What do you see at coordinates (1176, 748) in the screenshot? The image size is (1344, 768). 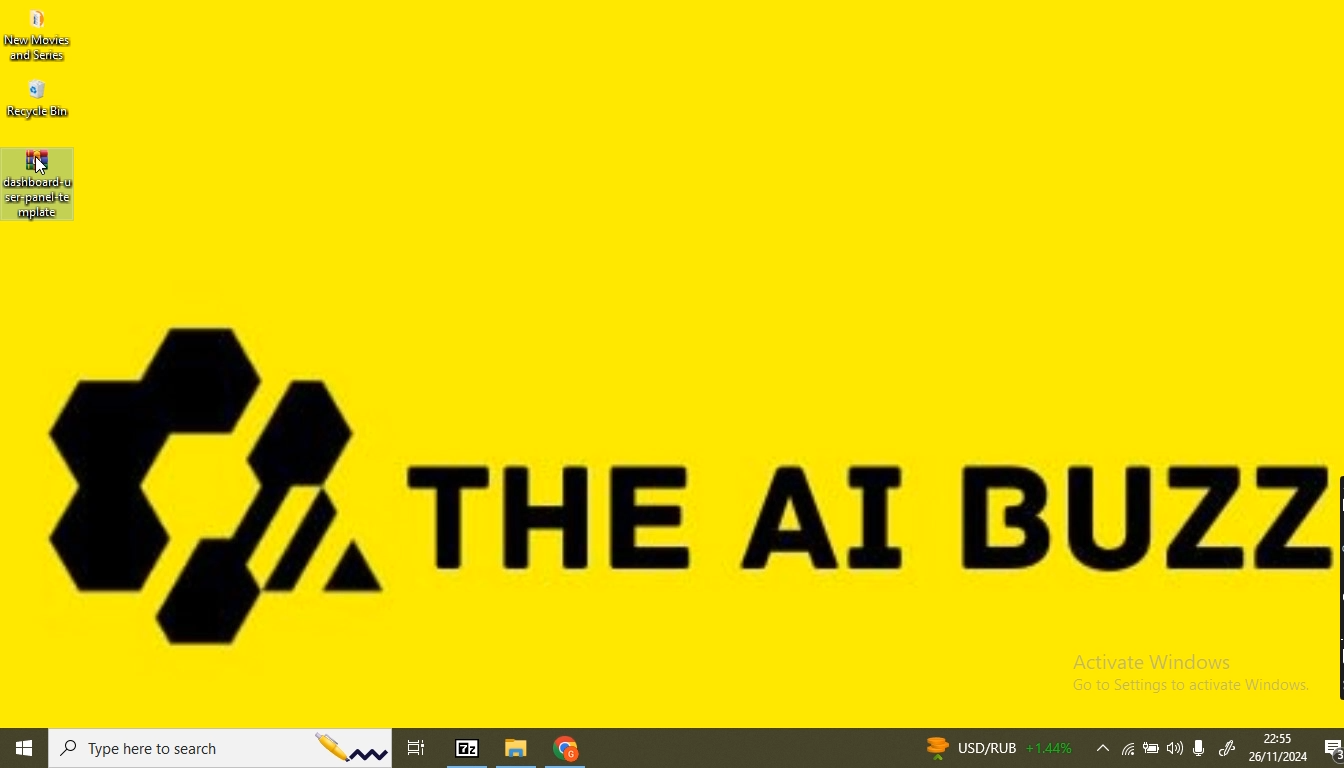 I see `volume` at bounding box center [1176, 748].